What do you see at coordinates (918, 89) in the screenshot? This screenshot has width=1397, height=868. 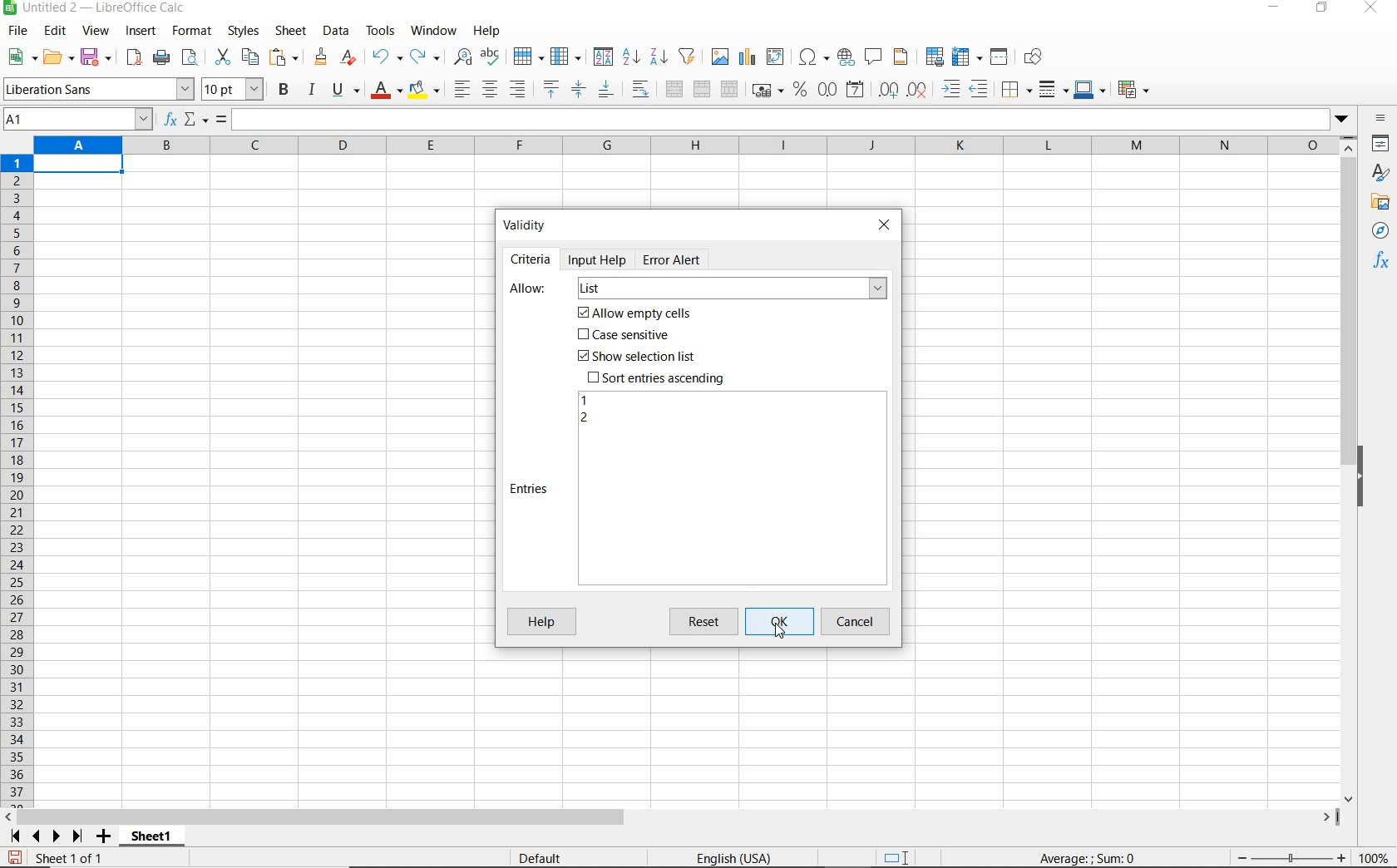 I see `delete decimal place` at bounding box center [918, 89].